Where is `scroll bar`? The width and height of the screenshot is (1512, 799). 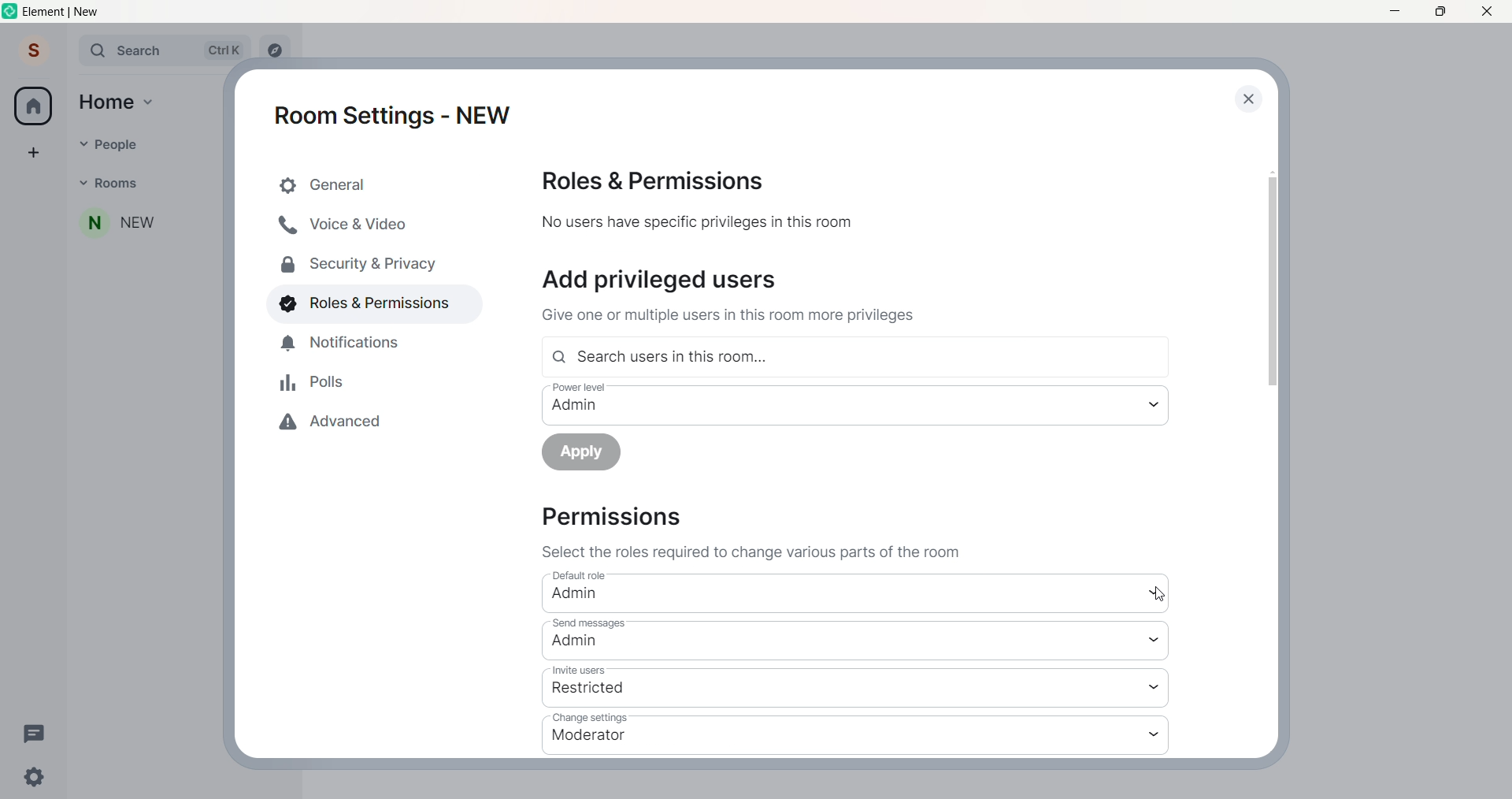 scroll bar is located at coordinates (1275, 271).